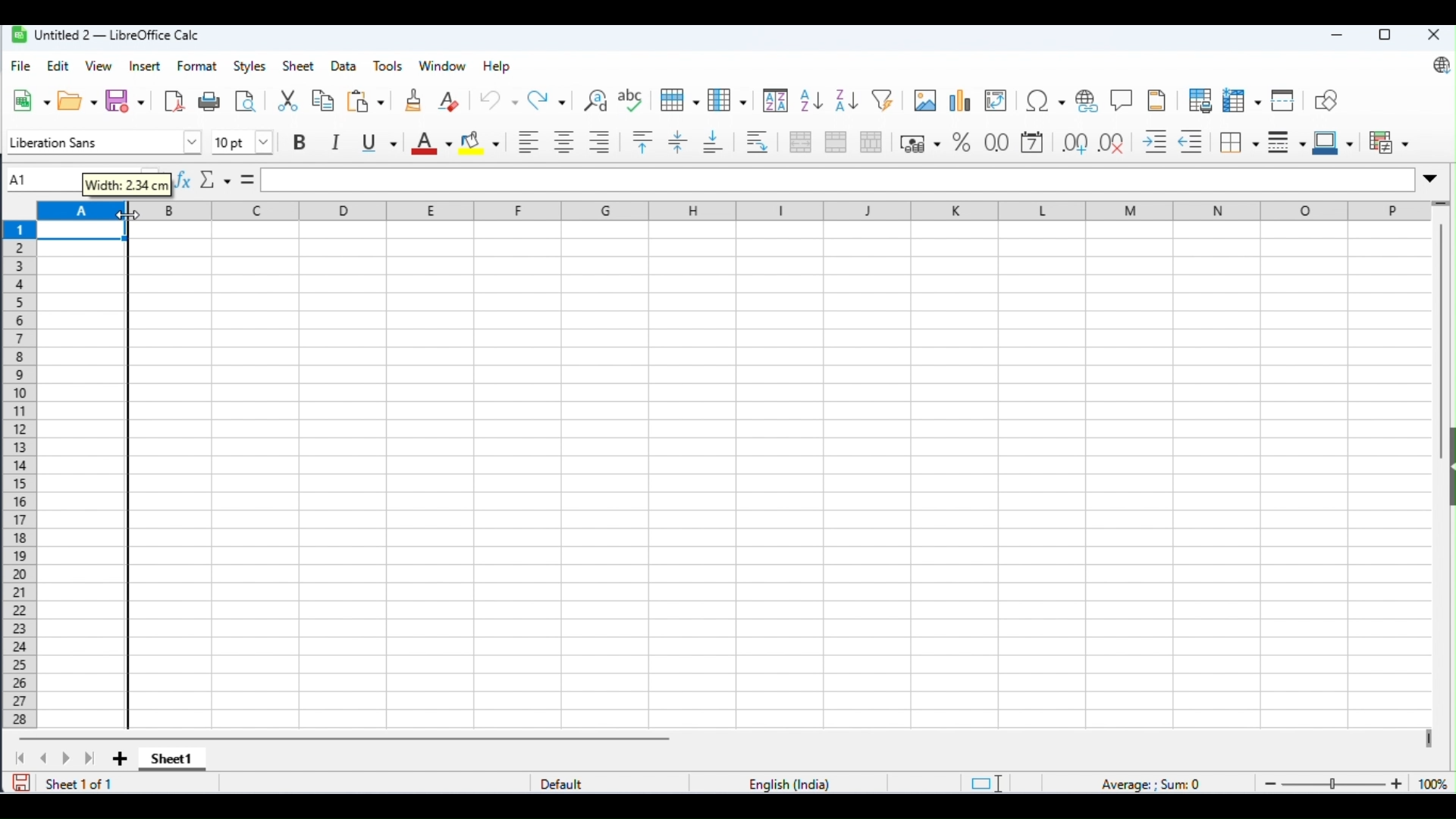 The image size is (1456, 819). What do you see at coordinates (600, 143) in the screenshot?
I see `align right` at bounding box center [600, 143].